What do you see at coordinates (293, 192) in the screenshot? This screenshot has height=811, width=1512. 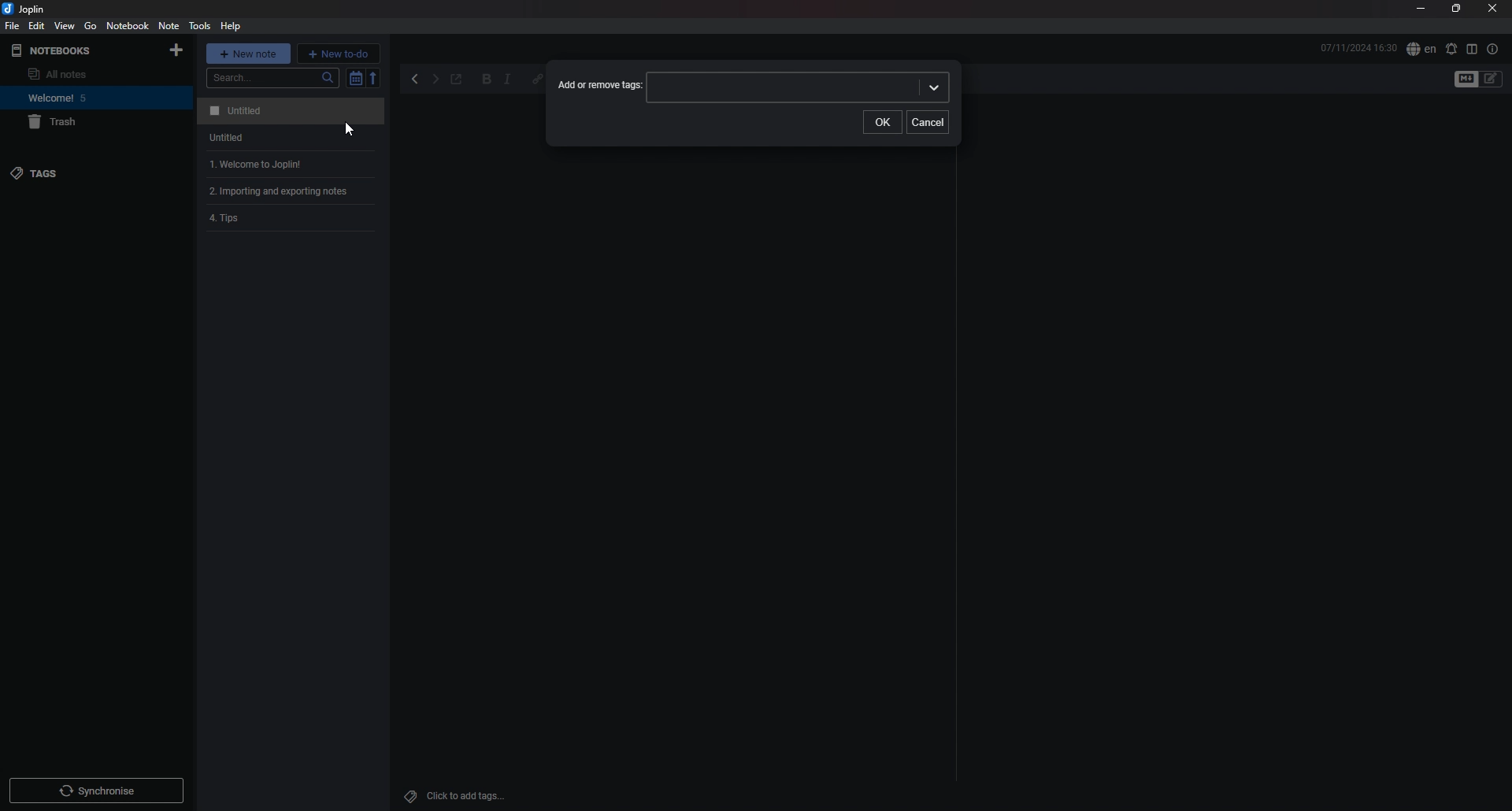 I see `2. Importing and exporting notes:` at bounding box center [293, 192].